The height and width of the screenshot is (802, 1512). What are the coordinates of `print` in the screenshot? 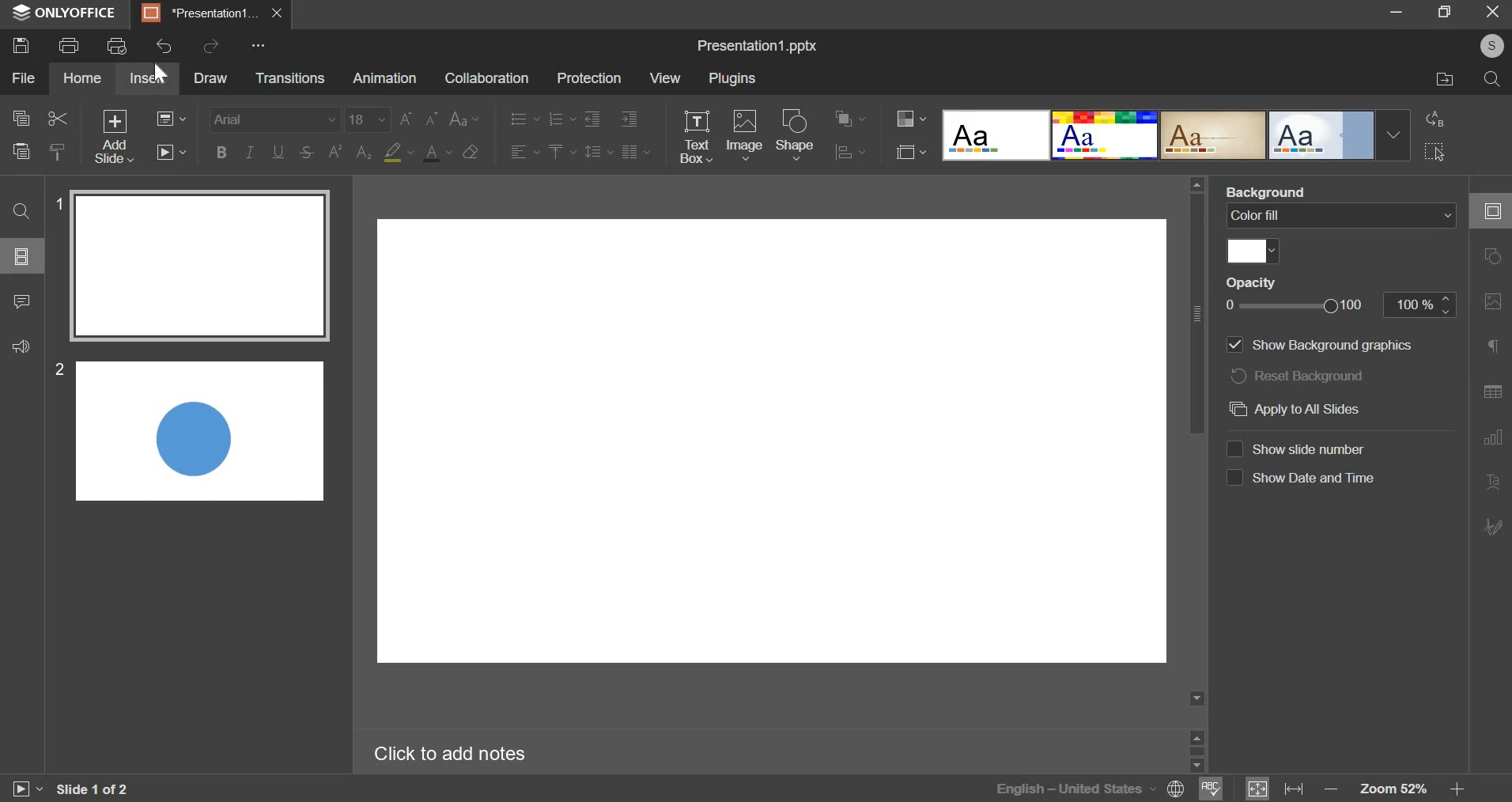 It's located at (70, 45).